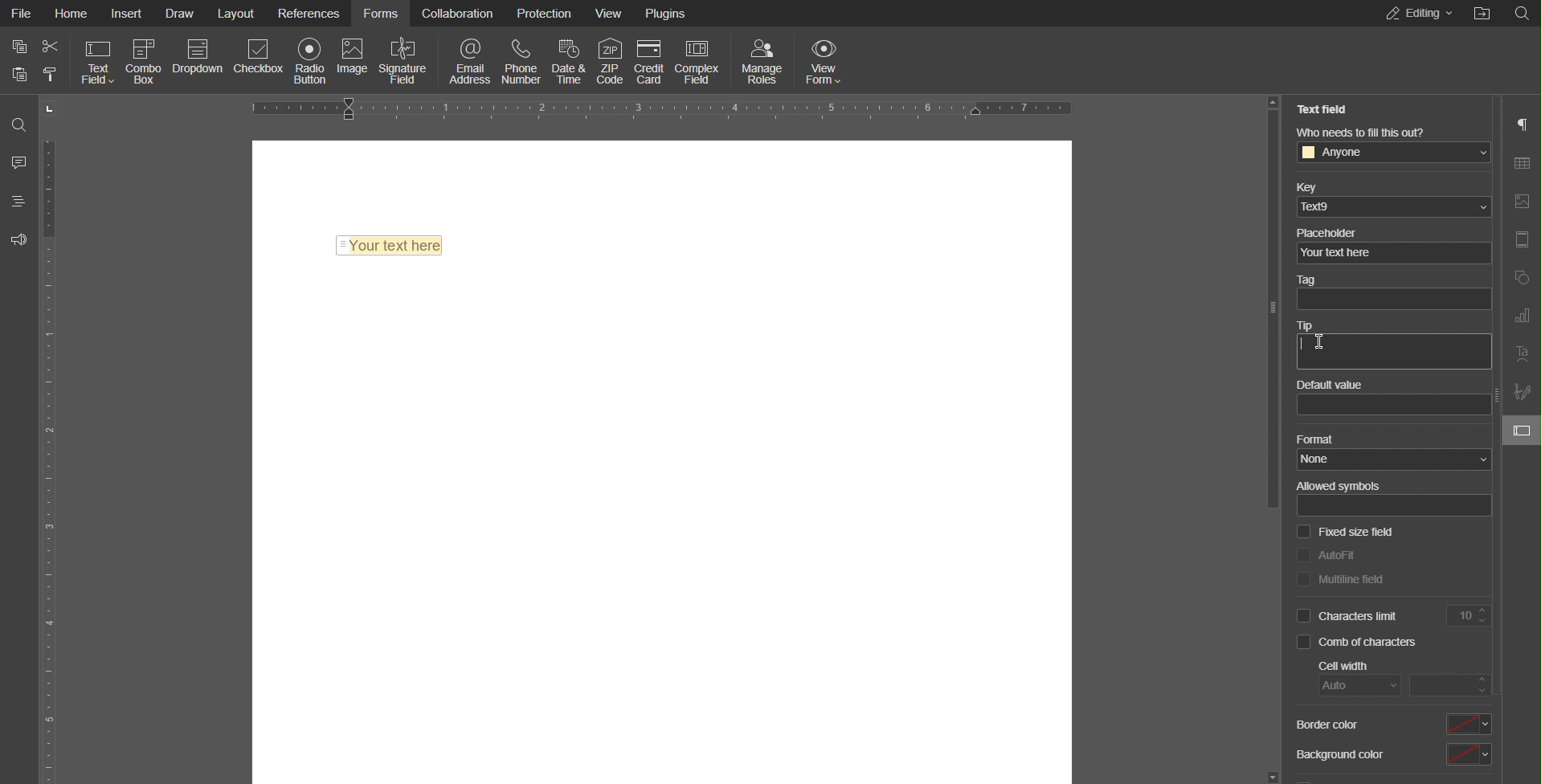 This screenshot has width=1541, height=784. Describe the element at coordinates (311, 60) in the screenshot. I see `Radio Button` at that location.